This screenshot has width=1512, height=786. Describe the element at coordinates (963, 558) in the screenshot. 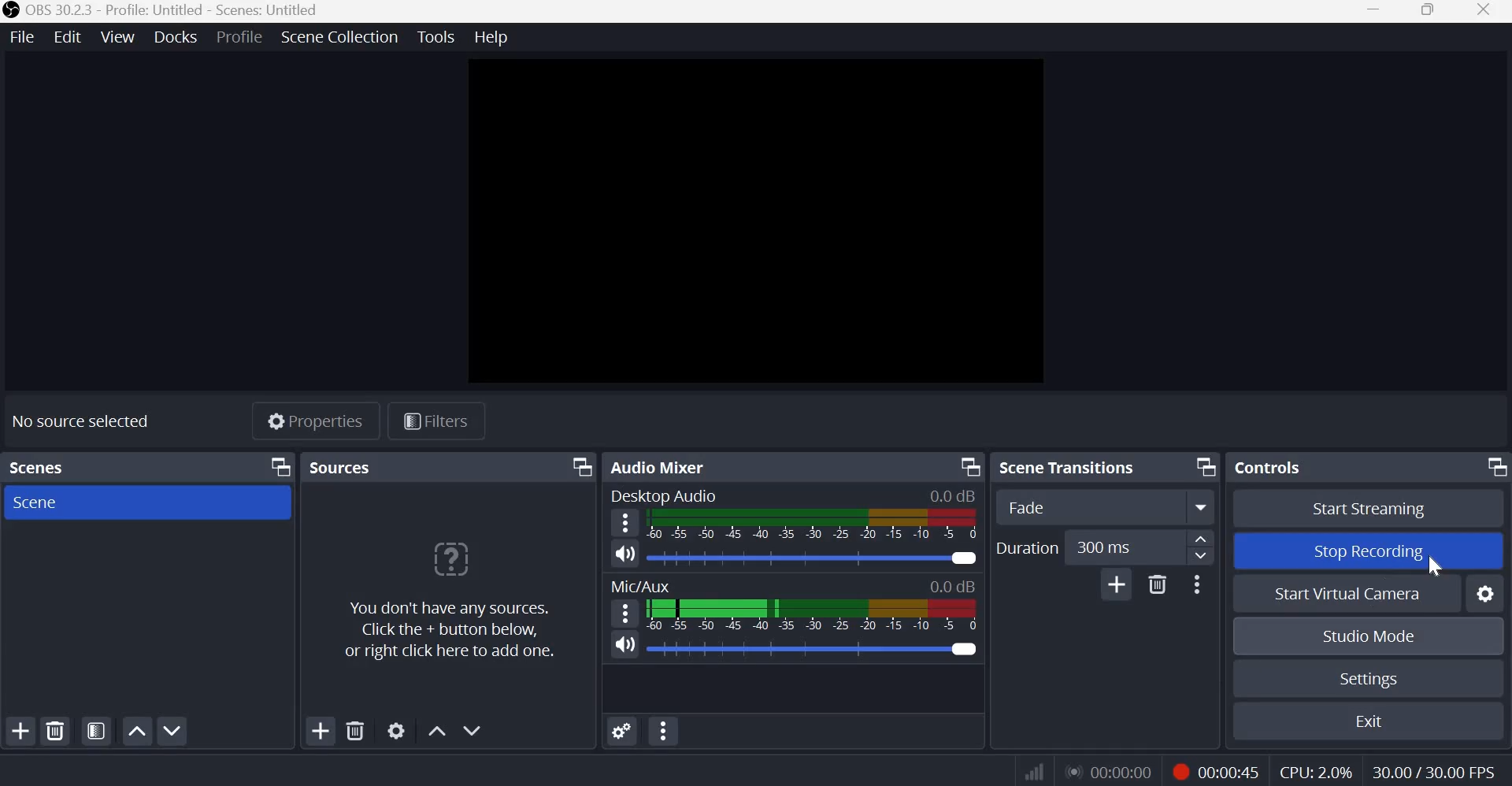

I see `Audio Slider` at that location.